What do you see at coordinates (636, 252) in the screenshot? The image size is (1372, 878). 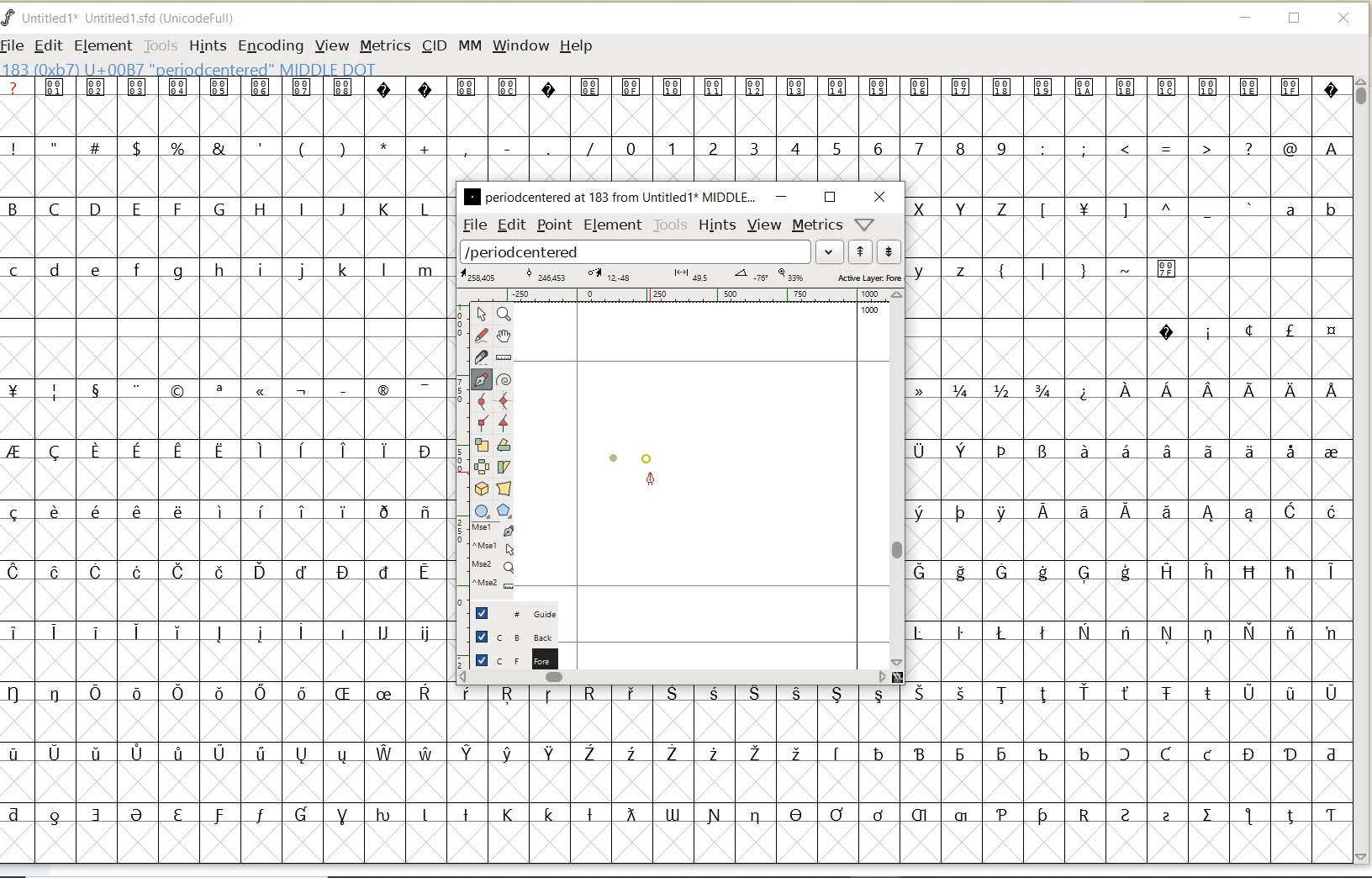 I see `load word list` at bounding box center [636, 252].